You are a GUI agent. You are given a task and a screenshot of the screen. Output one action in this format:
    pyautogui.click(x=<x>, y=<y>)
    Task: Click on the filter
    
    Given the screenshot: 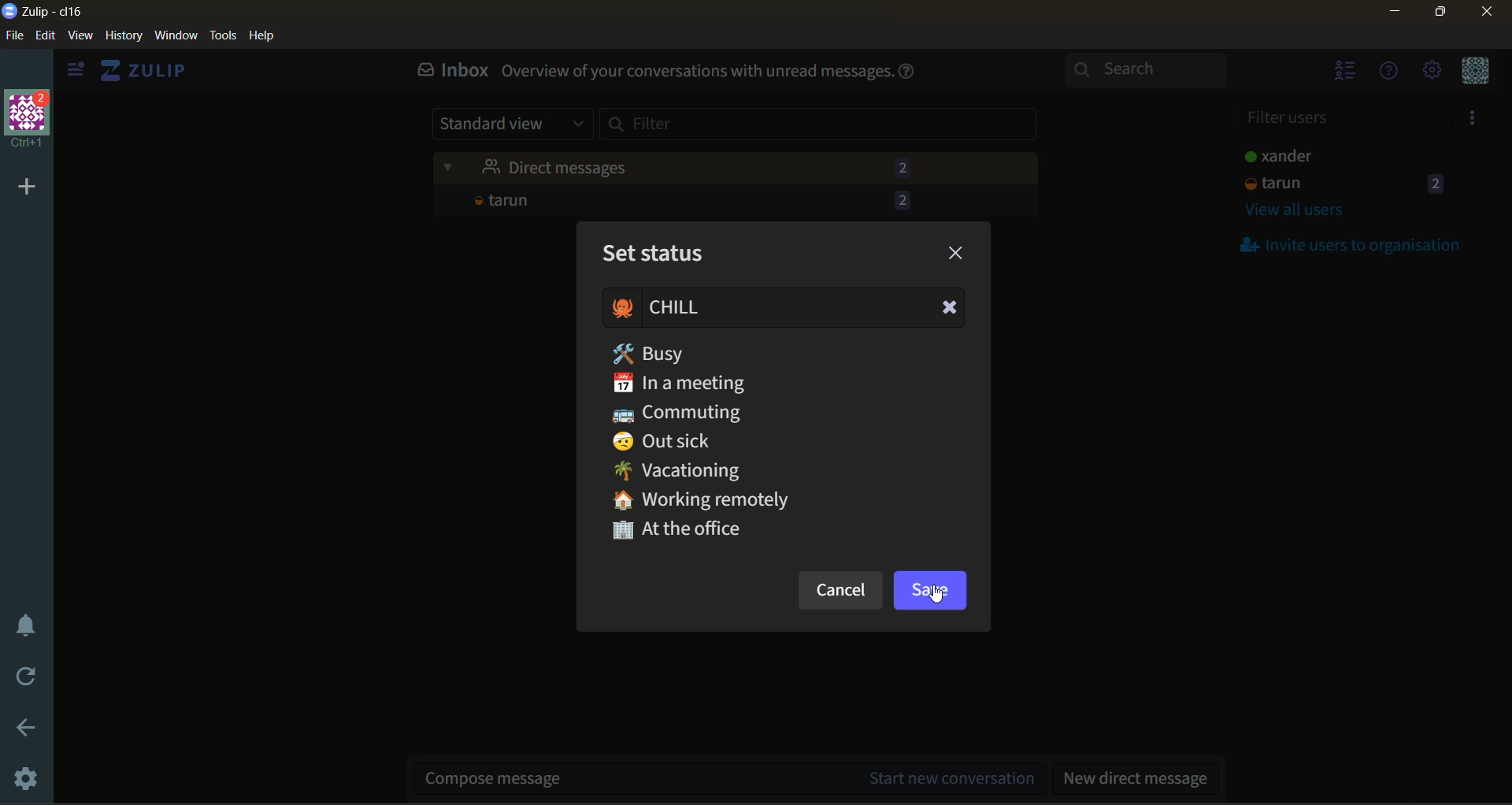 What is the action you would take?
    pyautogui.click(x=830, y=128)
    